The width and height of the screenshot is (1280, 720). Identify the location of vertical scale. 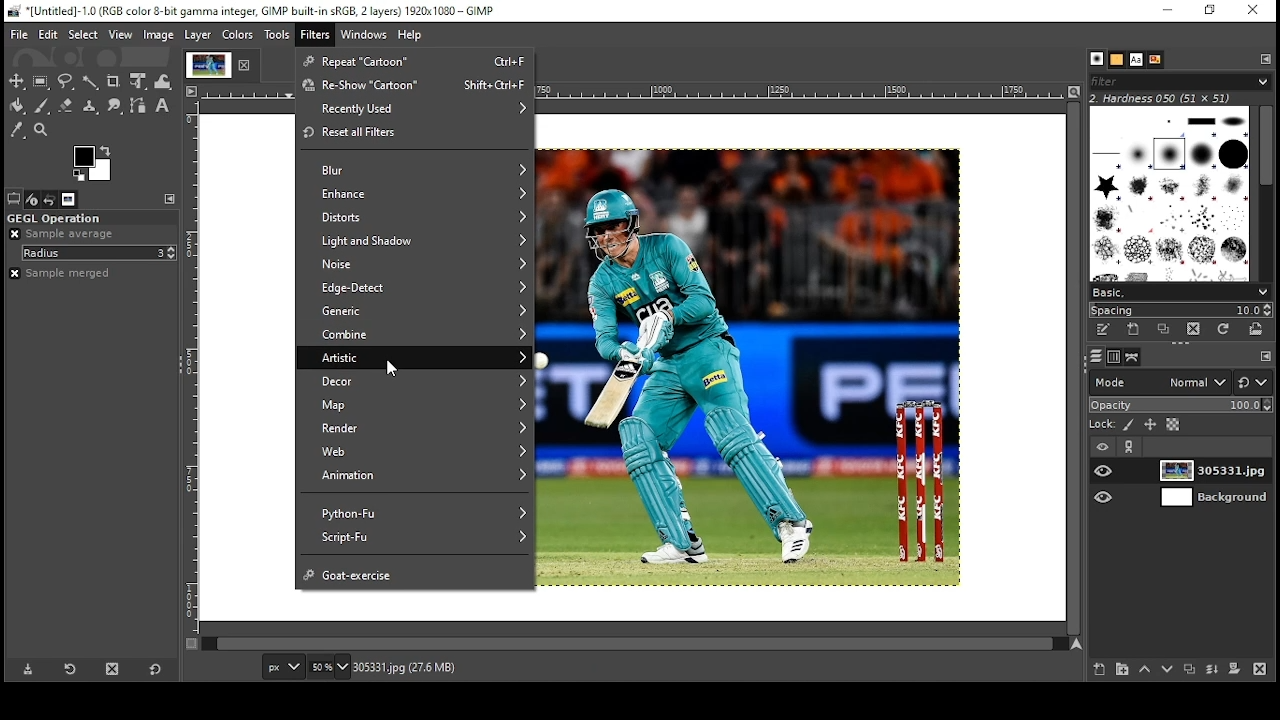
(192, 377).